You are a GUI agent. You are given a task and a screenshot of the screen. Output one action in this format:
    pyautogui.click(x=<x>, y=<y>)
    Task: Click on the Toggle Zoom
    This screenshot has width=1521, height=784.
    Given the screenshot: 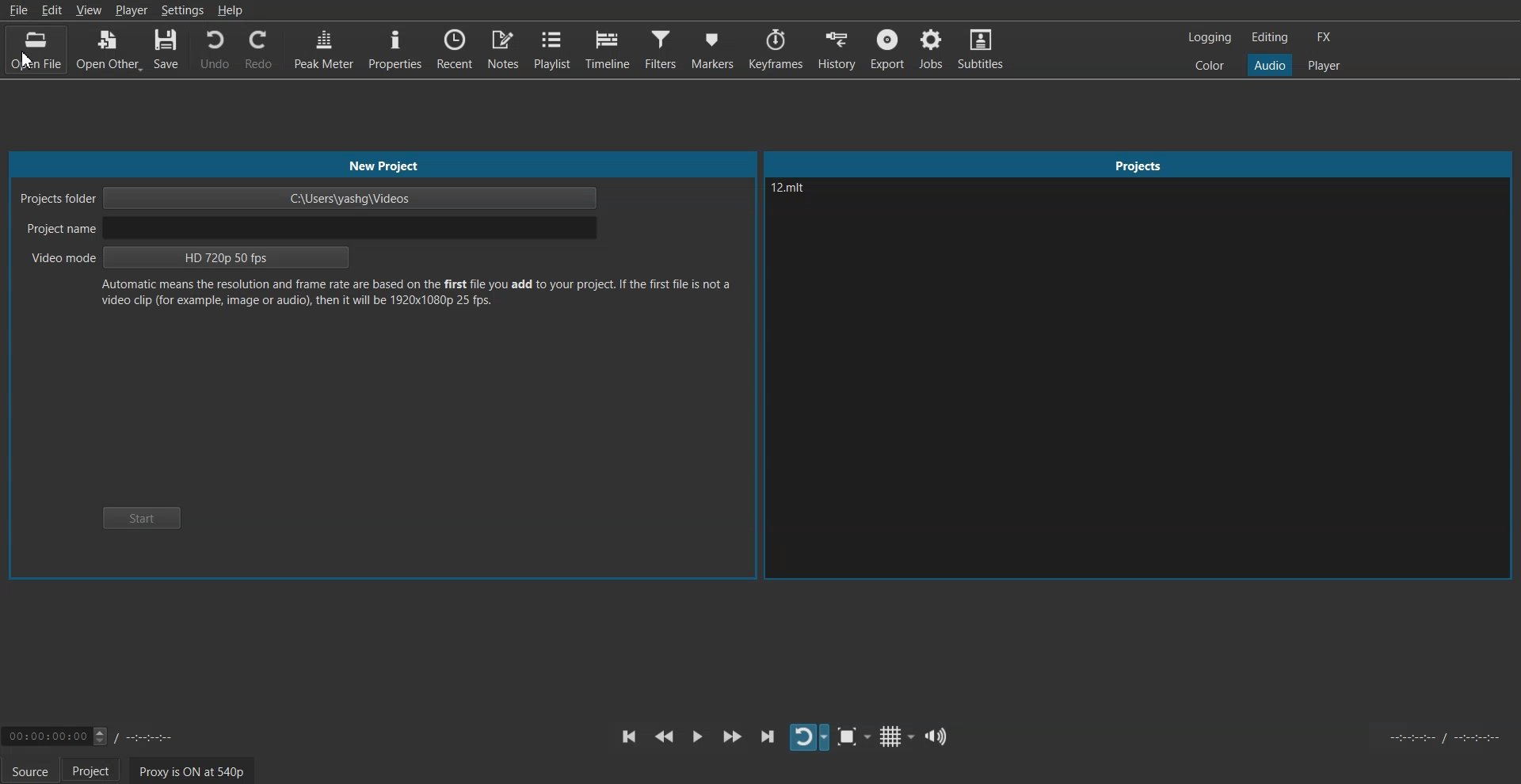 What is the action you would take?
    pyautogui.click(x=855, y=737)
    